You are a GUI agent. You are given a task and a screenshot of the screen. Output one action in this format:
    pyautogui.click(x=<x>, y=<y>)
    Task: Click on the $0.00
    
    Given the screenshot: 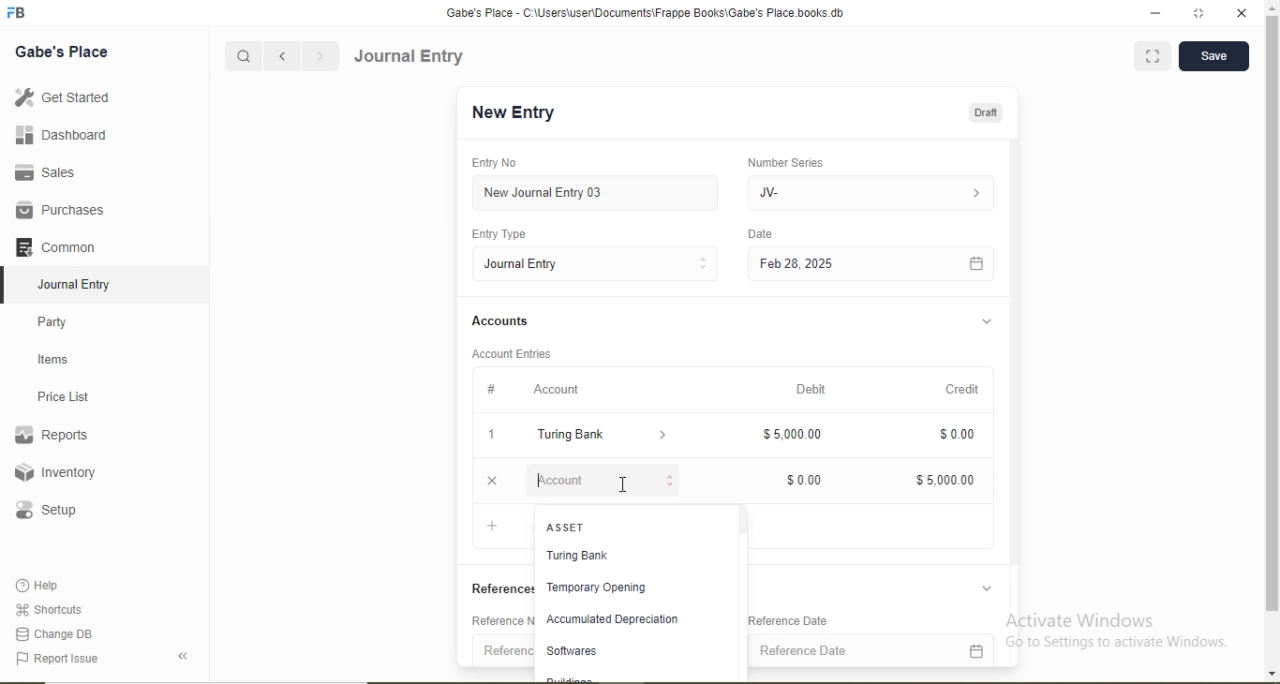 What is the action you would take?
    pyautogui.click(x=808, y=480)
    